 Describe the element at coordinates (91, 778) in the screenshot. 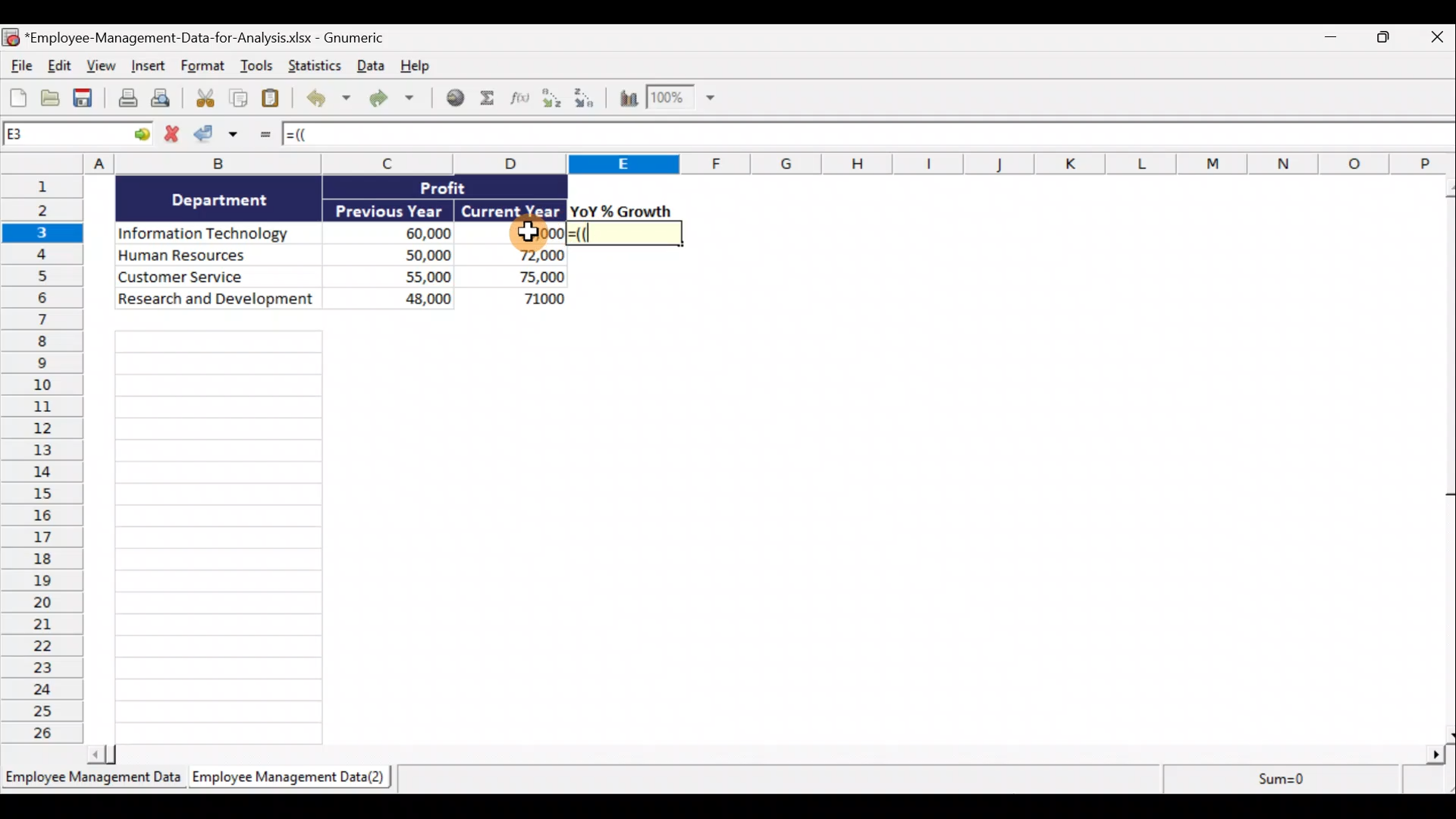

I see `Sheet 1` at that location.